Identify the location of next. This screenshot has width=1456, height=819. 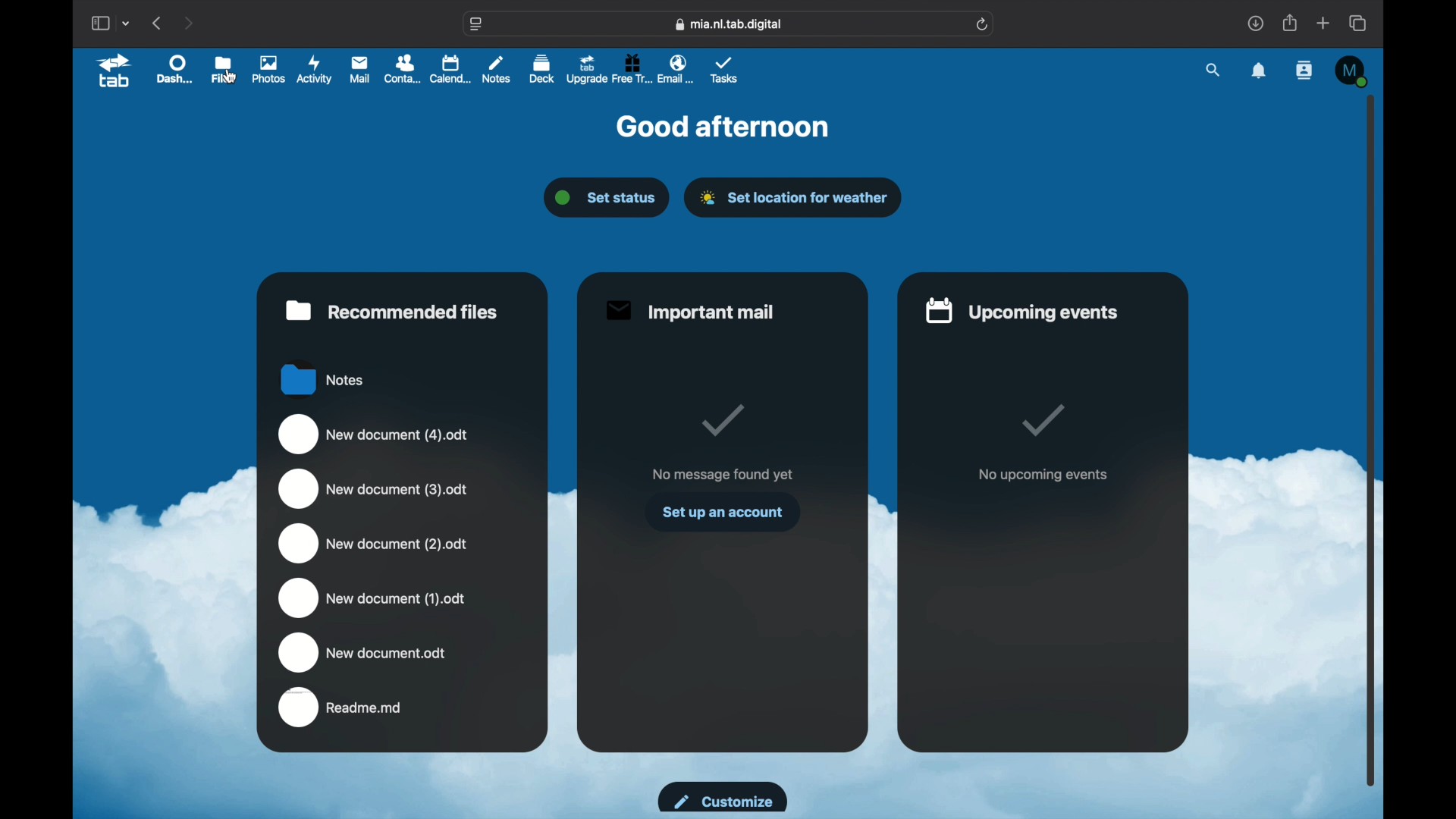
(190, 23).